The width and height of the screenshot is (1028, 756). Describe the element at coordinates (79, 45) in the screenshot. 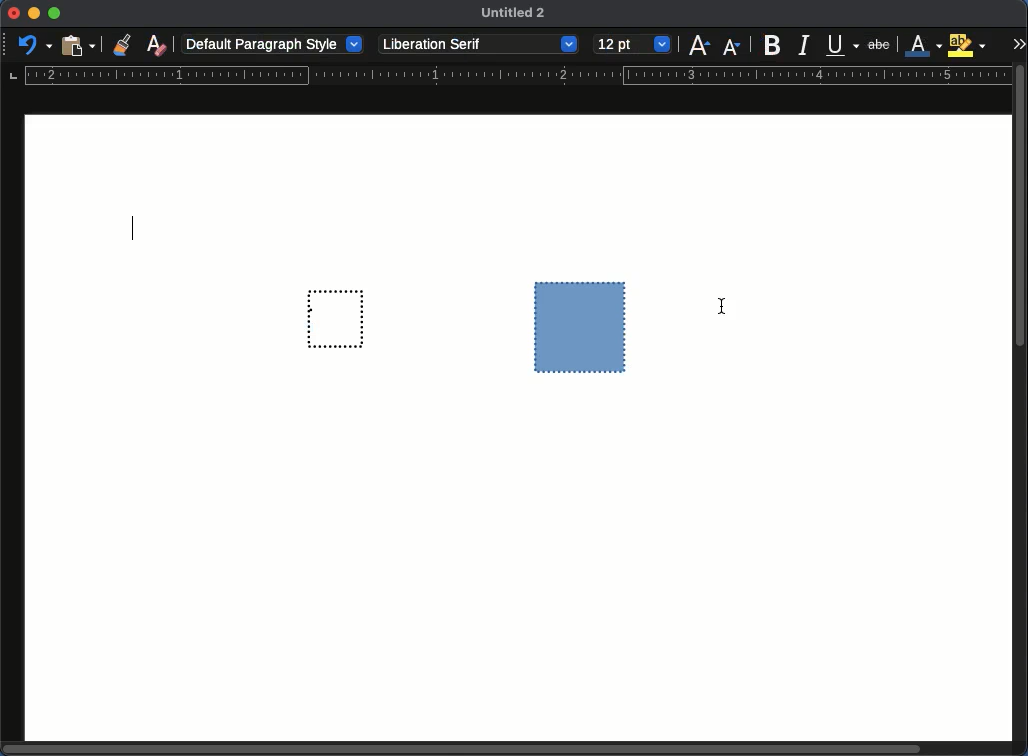

I see `paste` at that location.